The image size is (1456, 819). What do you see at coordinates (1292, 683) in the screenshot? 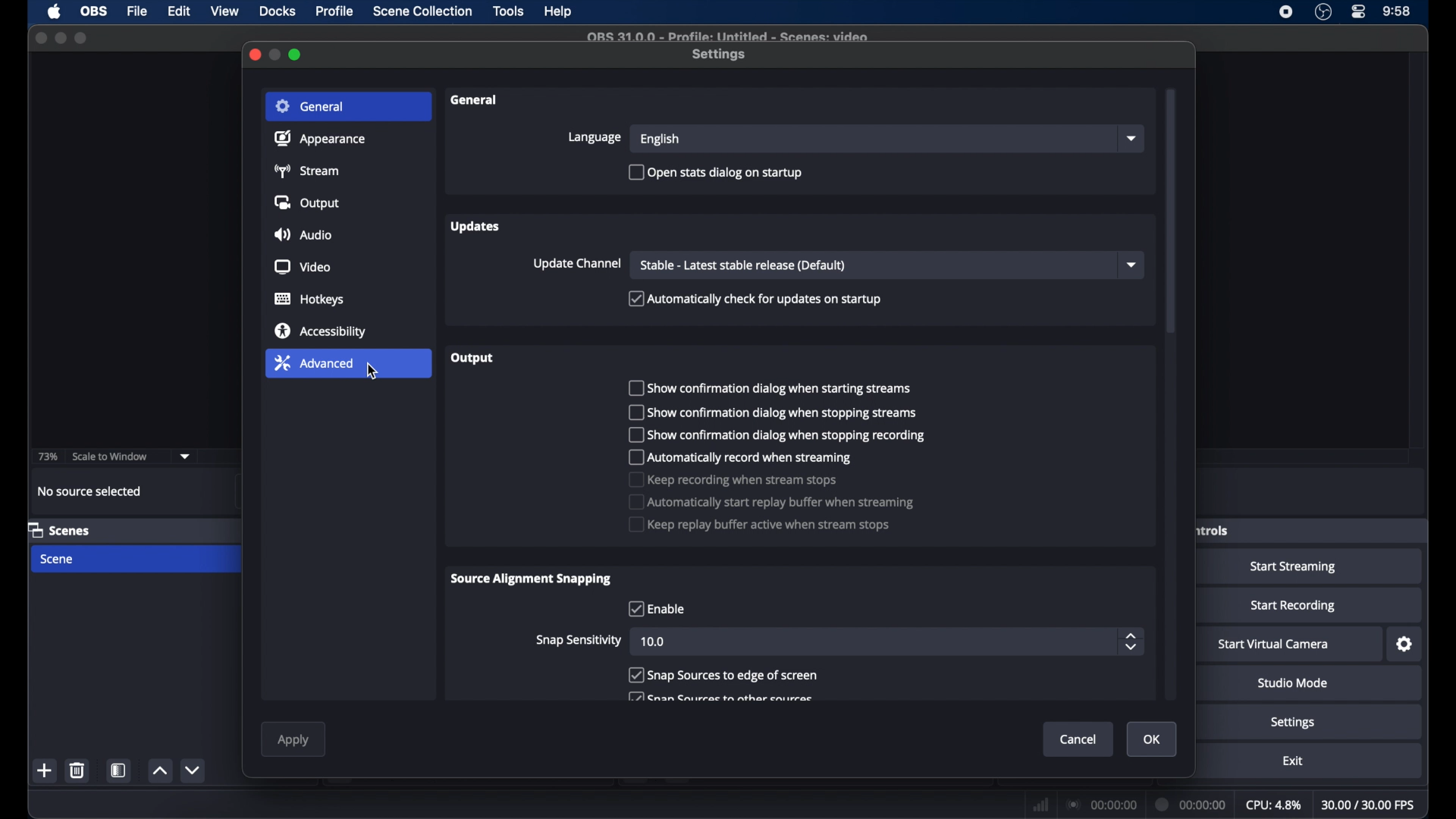
I see `studio mode` at bounding box center [1292, 683].